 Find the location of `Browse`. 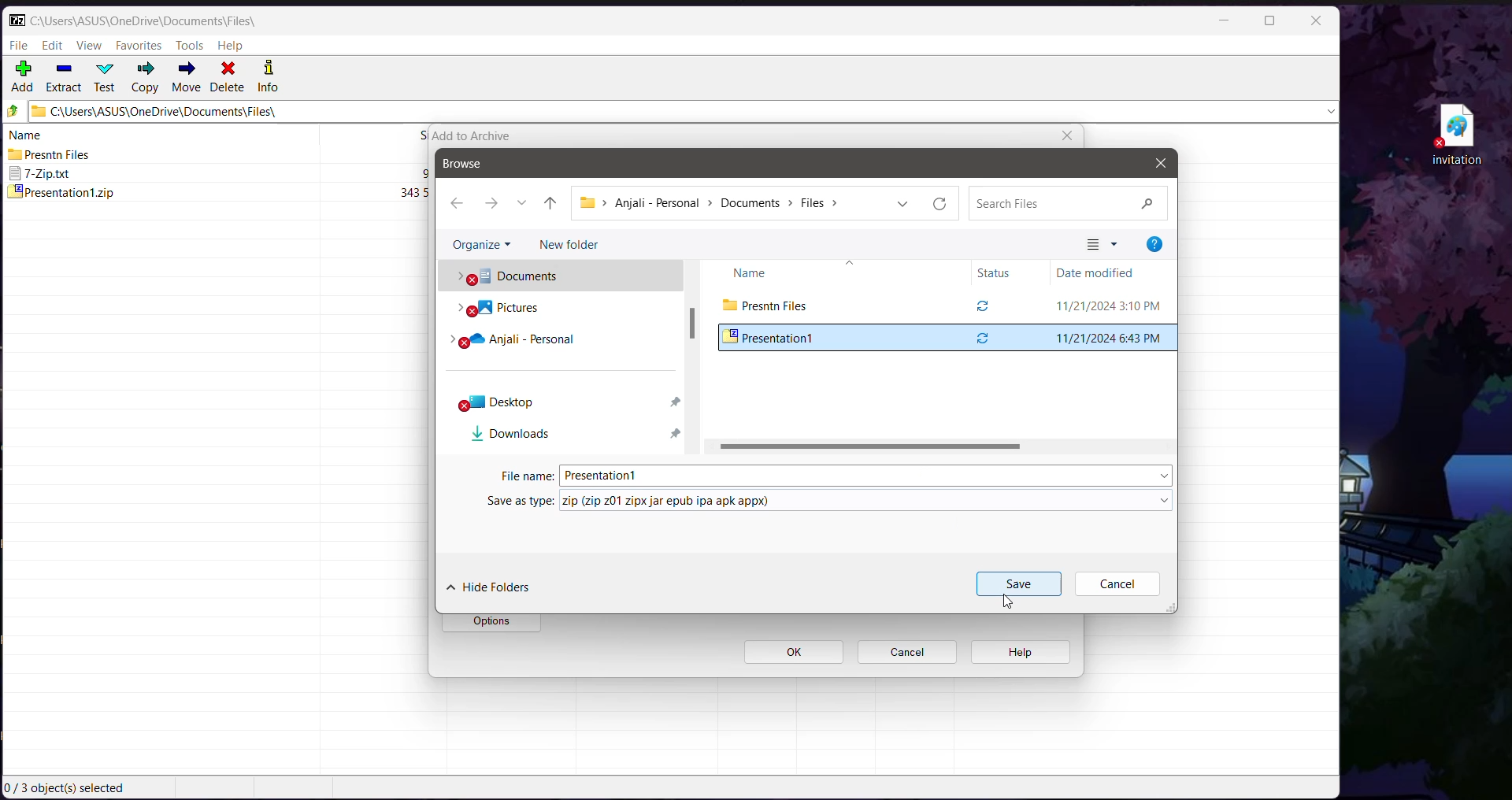

Browse is located at coordinates (469, 165).